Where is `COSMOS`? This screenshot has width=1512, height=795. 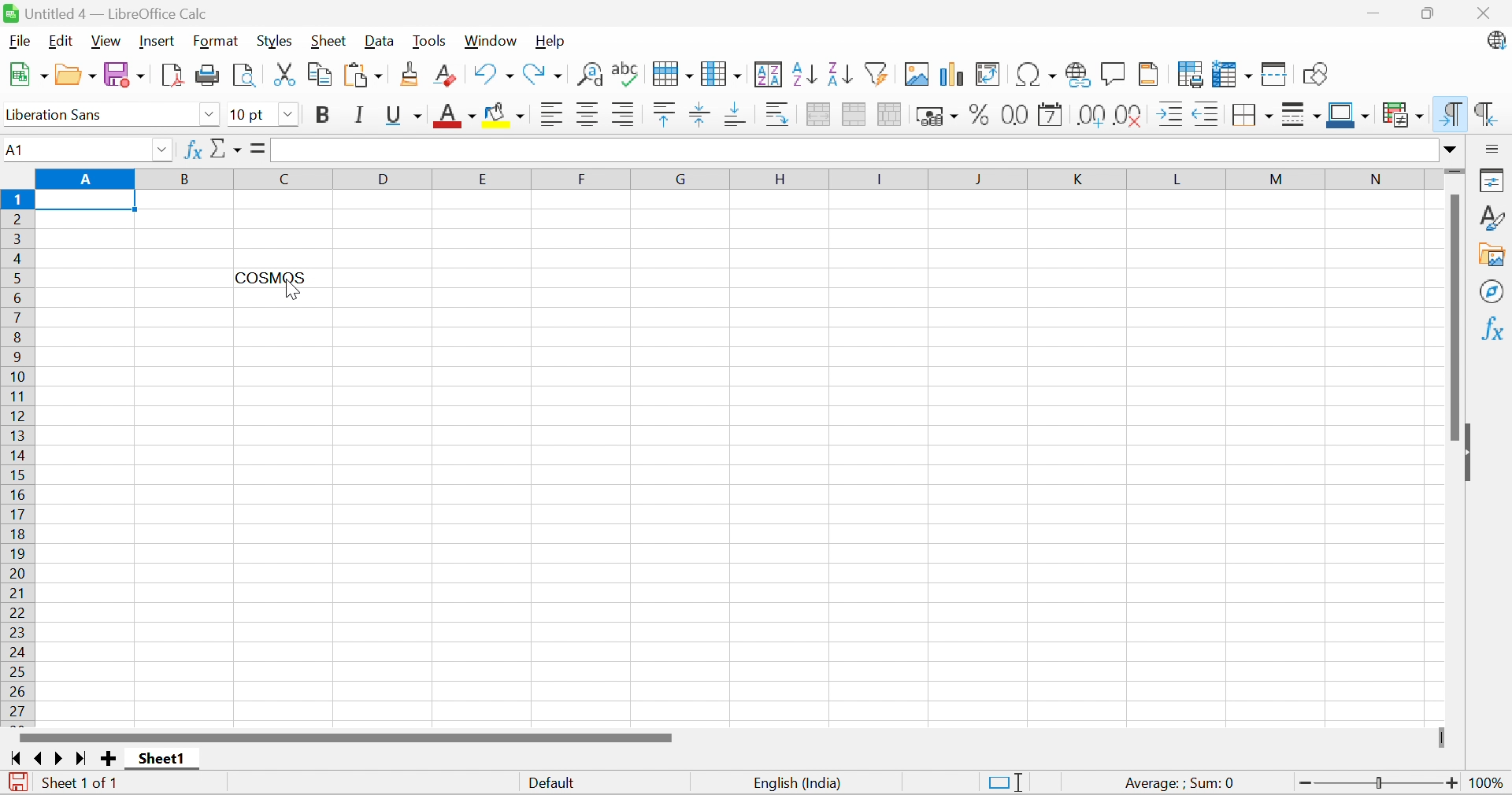
COSMOS is located at coordinates (271, 275).